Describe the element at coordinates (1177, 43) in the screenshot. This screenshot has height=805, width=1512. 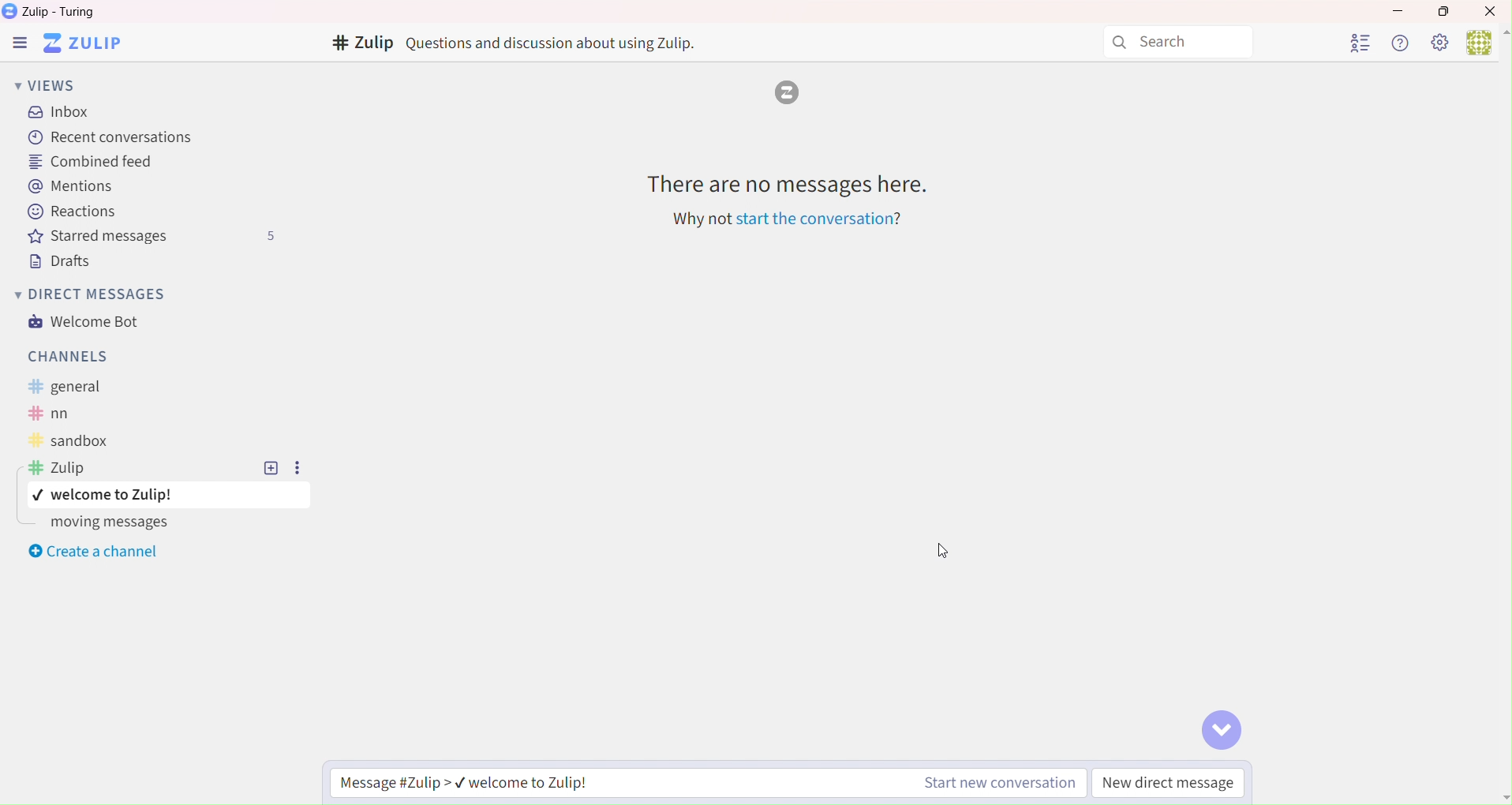
I see `Search` at that location.